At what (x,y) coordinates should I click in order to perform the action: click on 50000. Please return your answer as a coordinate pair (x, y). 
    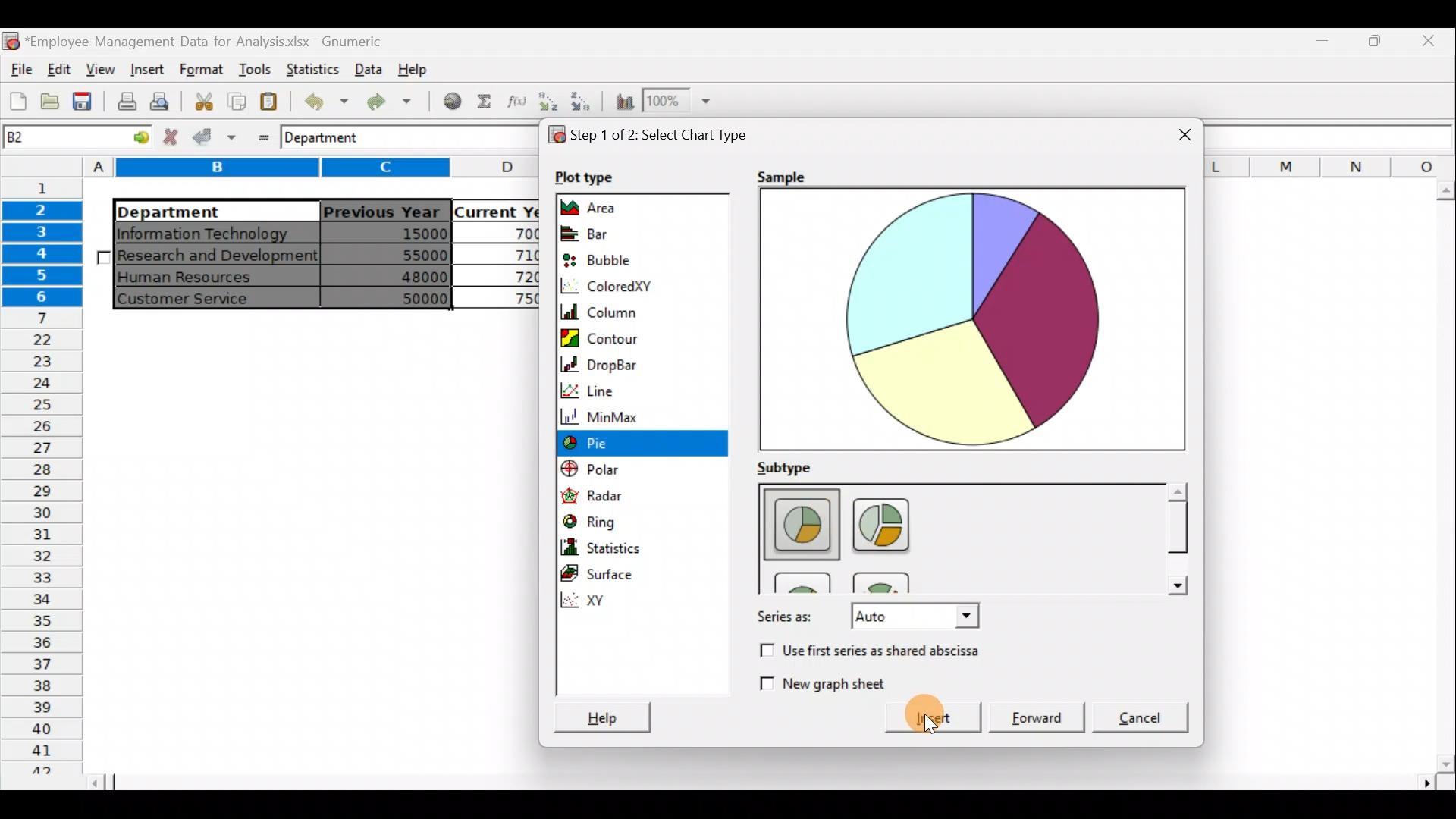
    Looking at the image, I should click on (402, 297).